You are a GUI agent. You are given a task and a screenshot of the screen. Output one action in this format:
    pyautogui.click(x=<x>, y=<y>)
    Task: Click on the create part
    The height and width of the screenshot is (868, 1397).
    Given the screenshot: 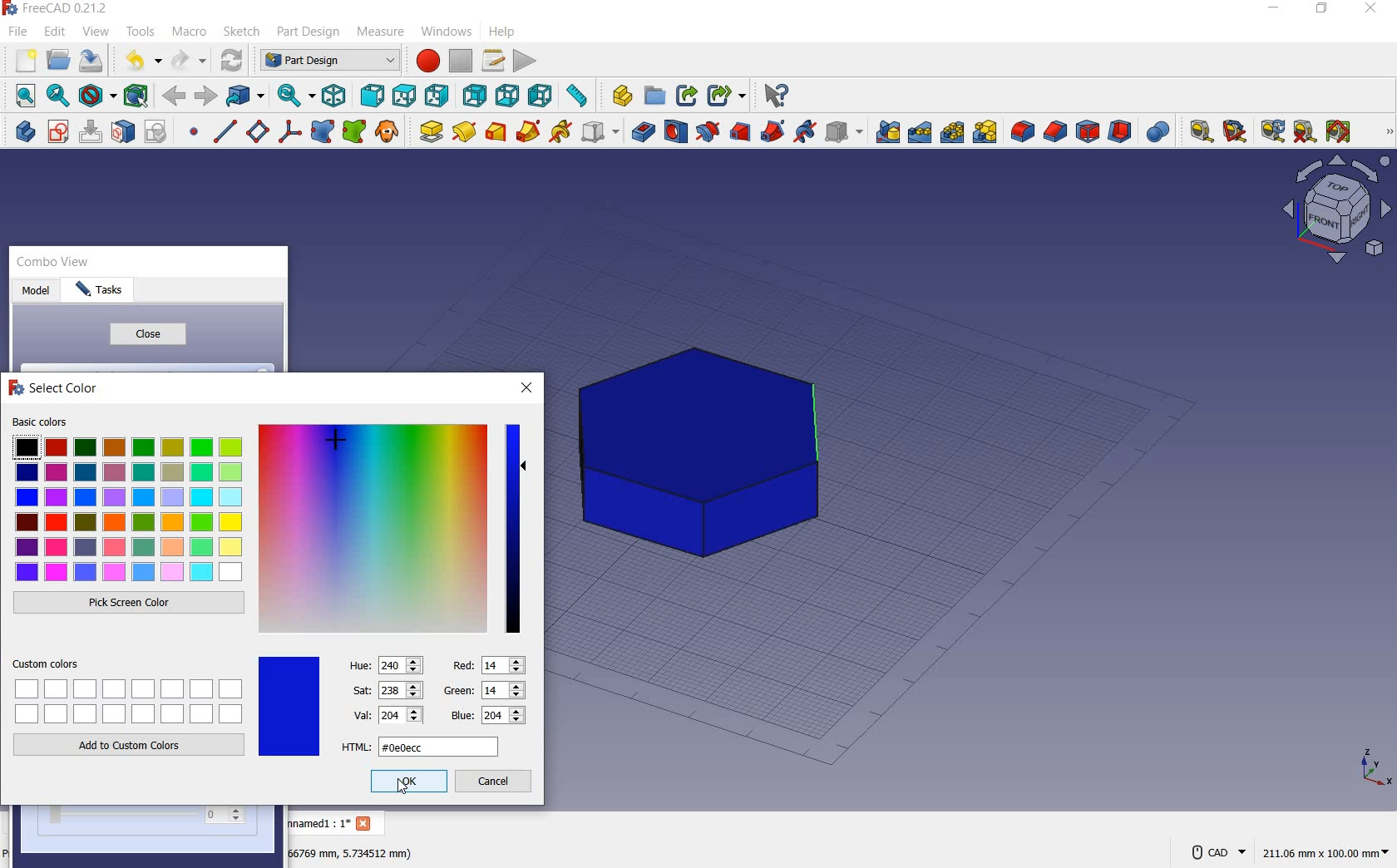 What is the action you would take?
    pyautogui.click(x=618, y=96)
    